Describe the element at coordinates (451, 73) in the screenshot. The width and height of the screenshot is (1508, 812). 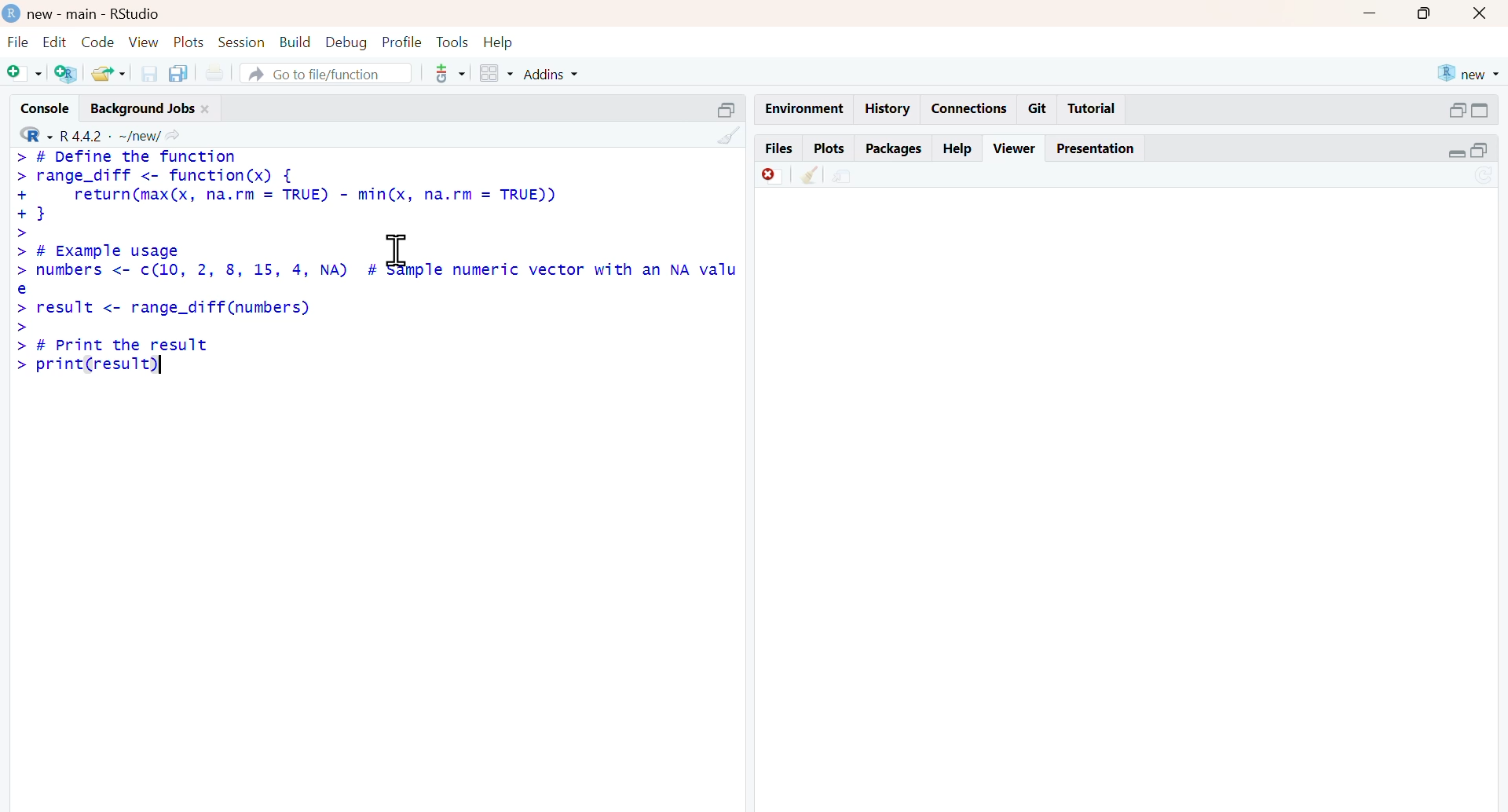
I see `tools` at that location.